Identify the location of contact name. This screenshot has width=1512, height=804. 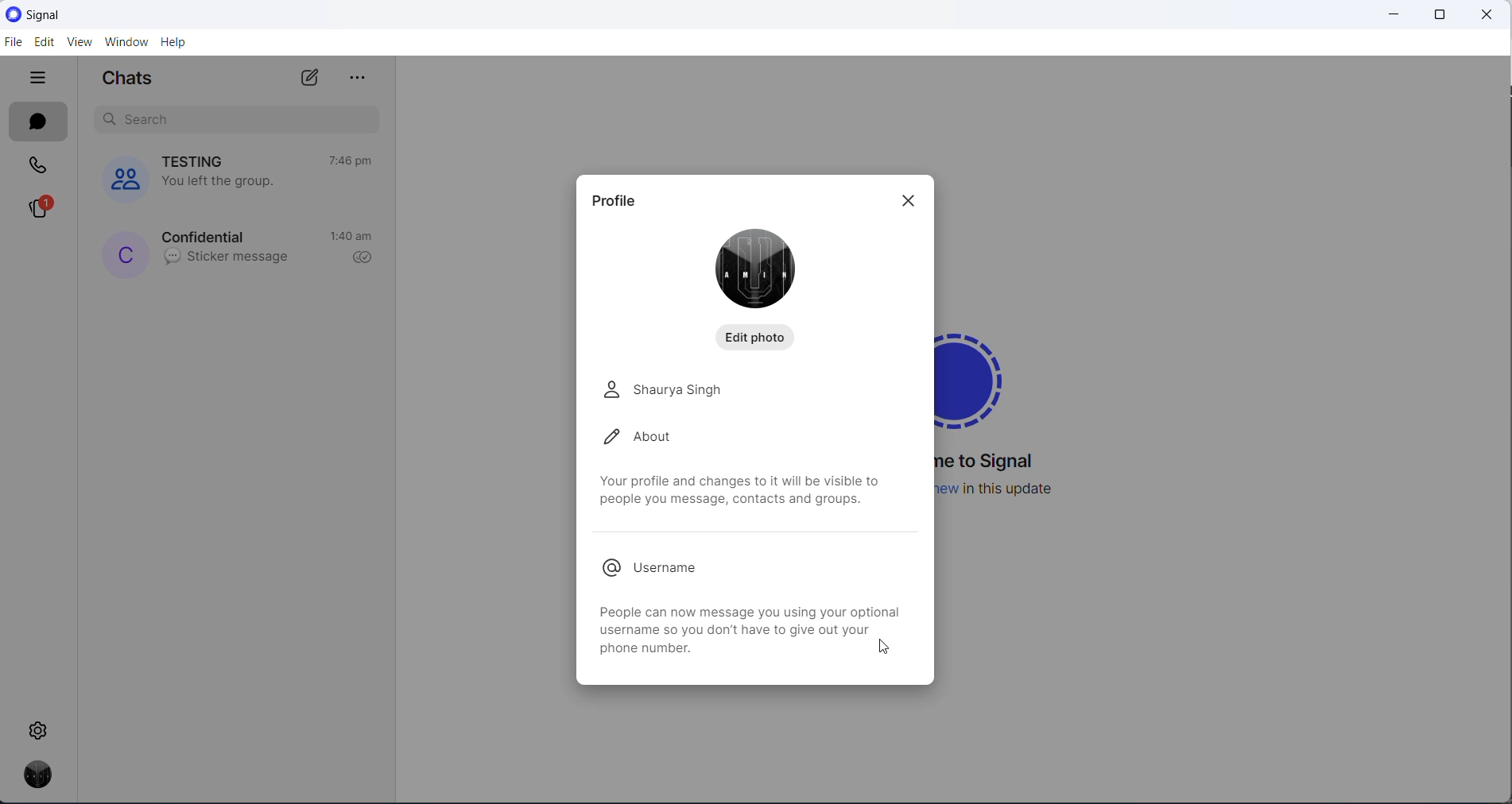
(207, 236).